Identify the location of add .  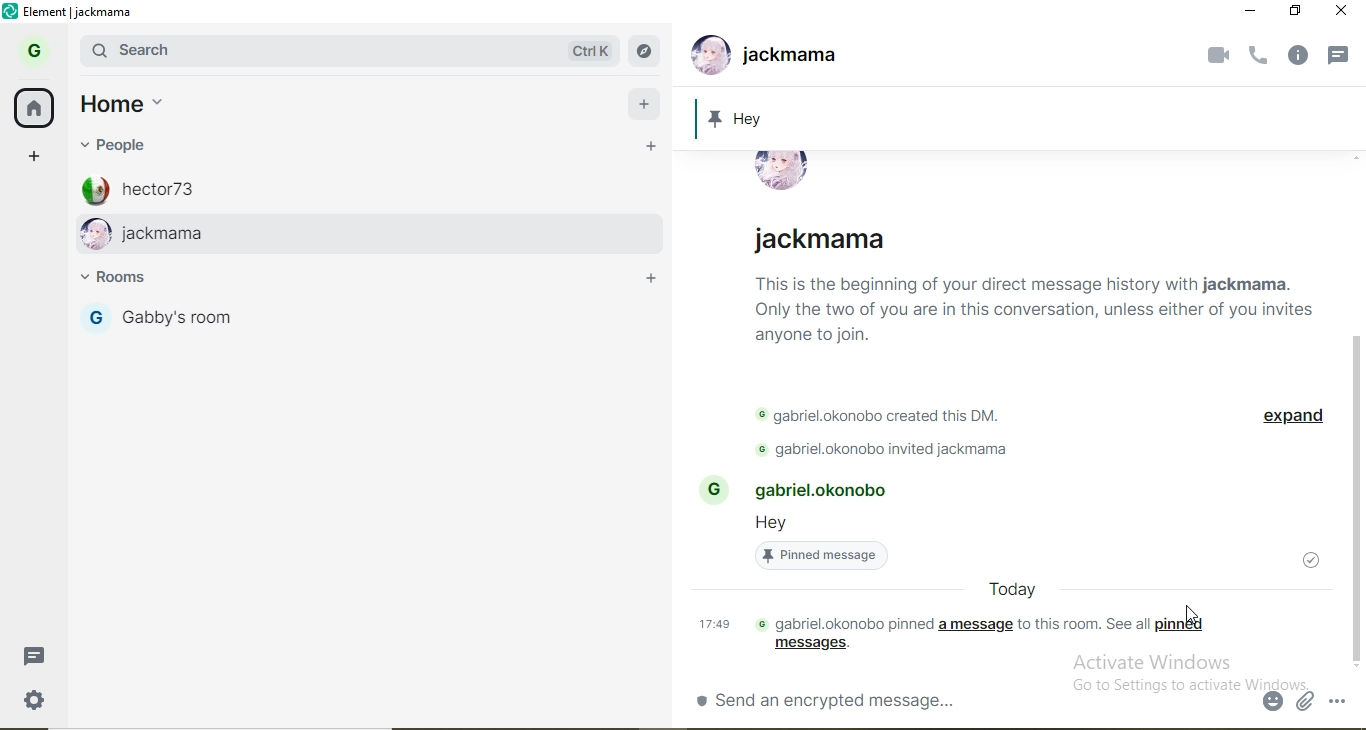
(644, 106).